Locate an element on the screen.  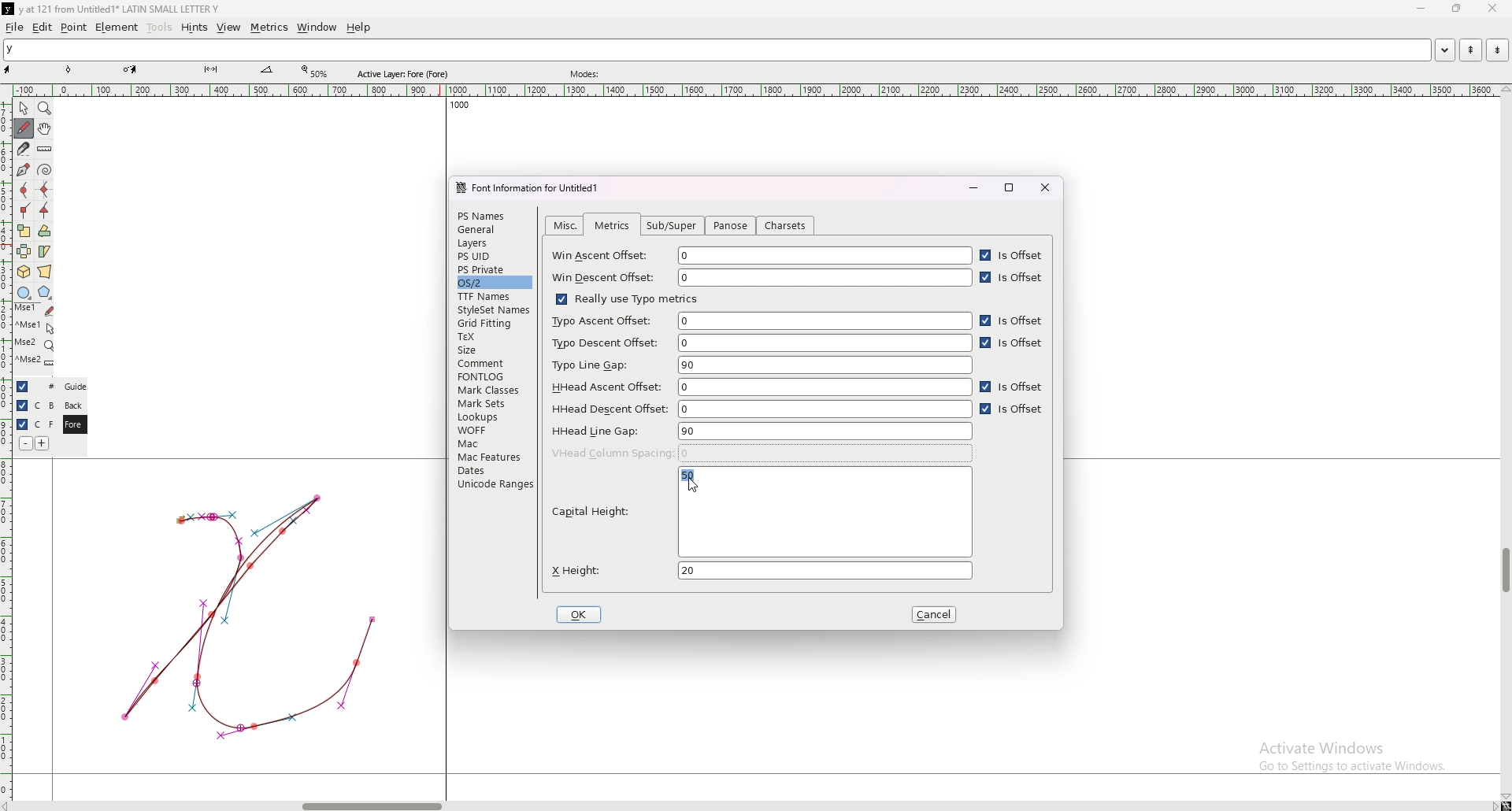
pen tool is located at coordinates (130, 69).